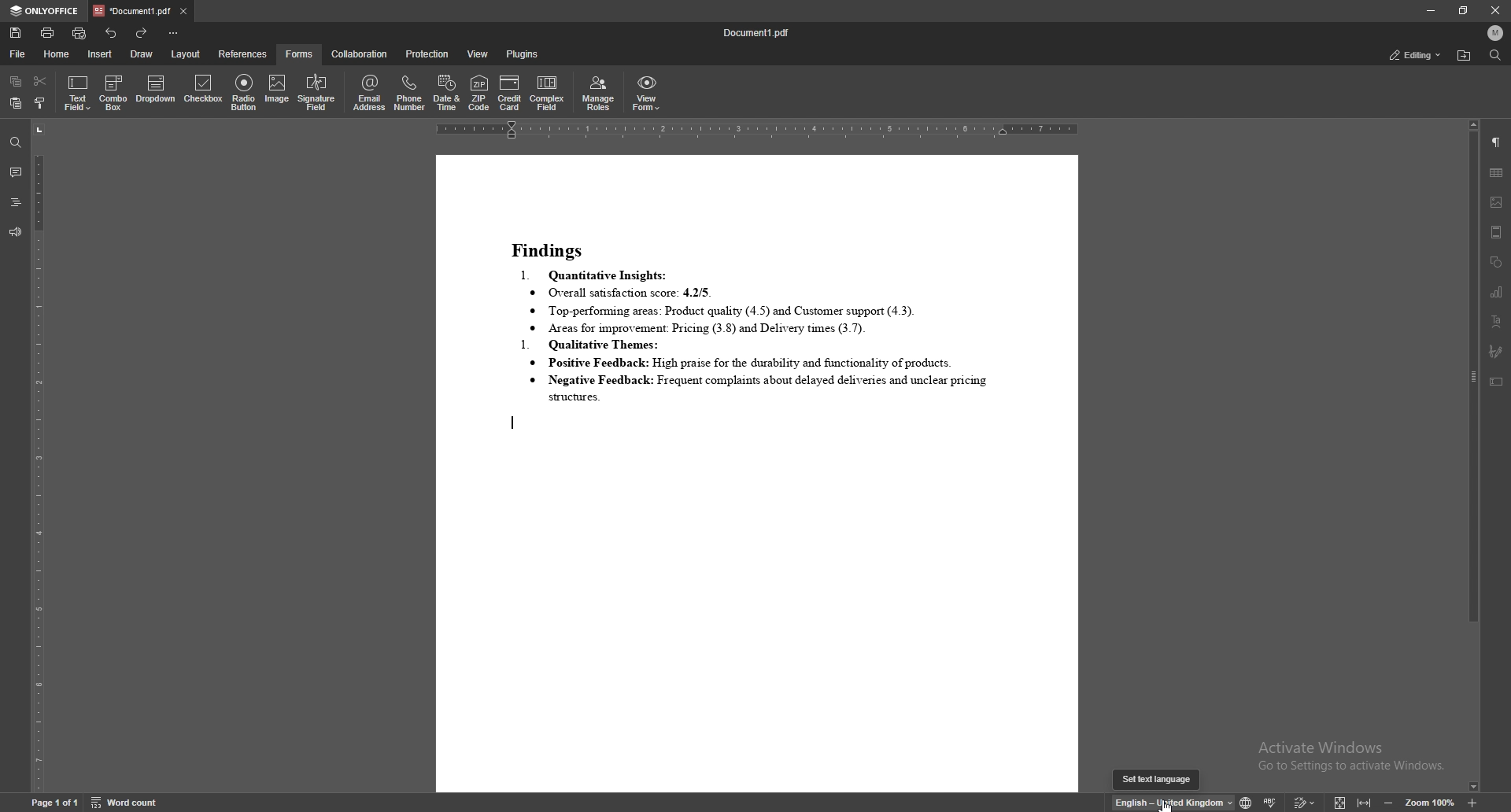 Image resolution: width=1511 pixels, height=812 pixels. I want to click on chart, so click(1498, 292).